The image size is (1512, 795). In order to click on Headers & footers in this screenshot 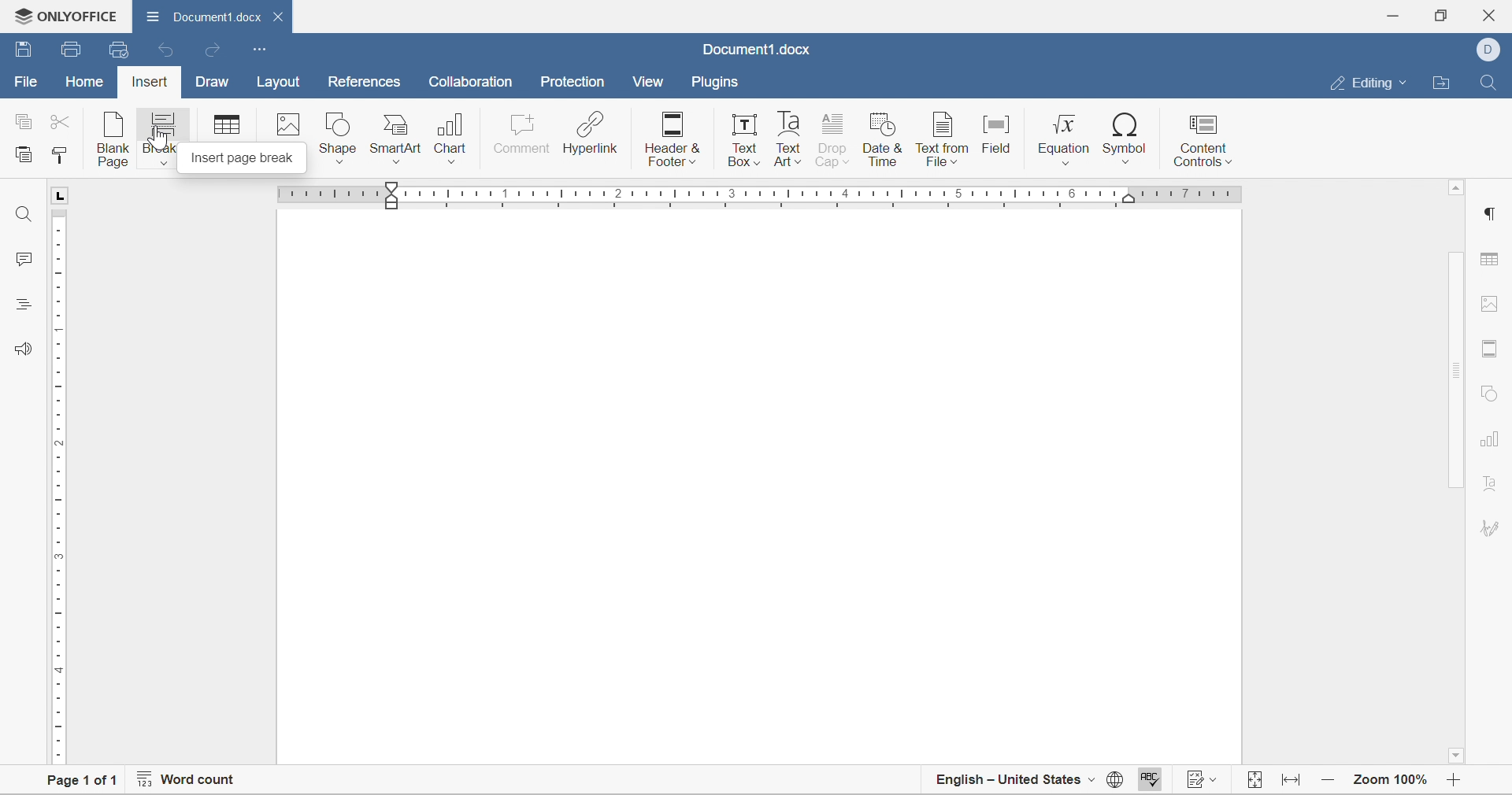, I will do `click(672, 141)`.